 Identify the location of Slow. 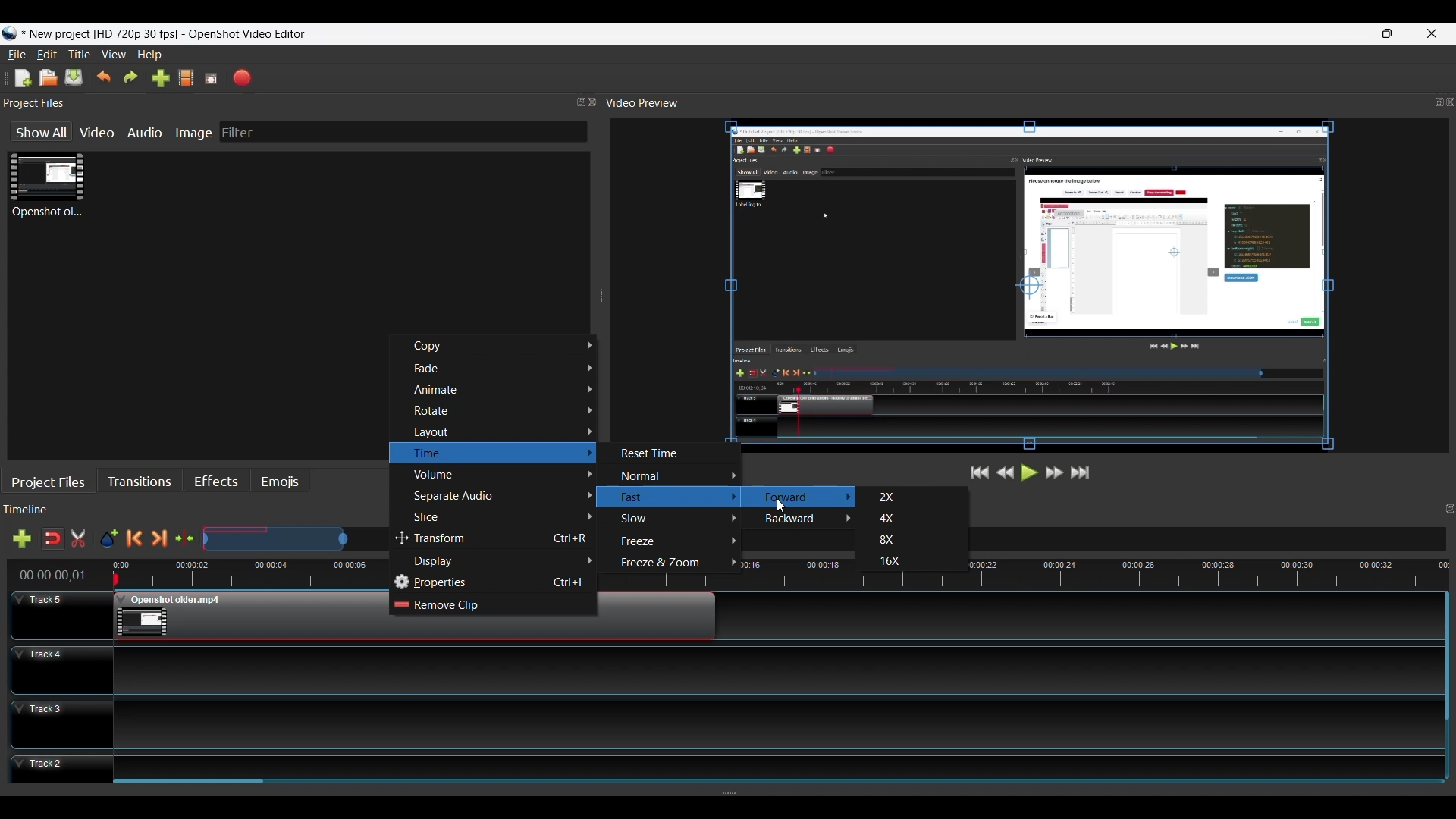
(674, 519).